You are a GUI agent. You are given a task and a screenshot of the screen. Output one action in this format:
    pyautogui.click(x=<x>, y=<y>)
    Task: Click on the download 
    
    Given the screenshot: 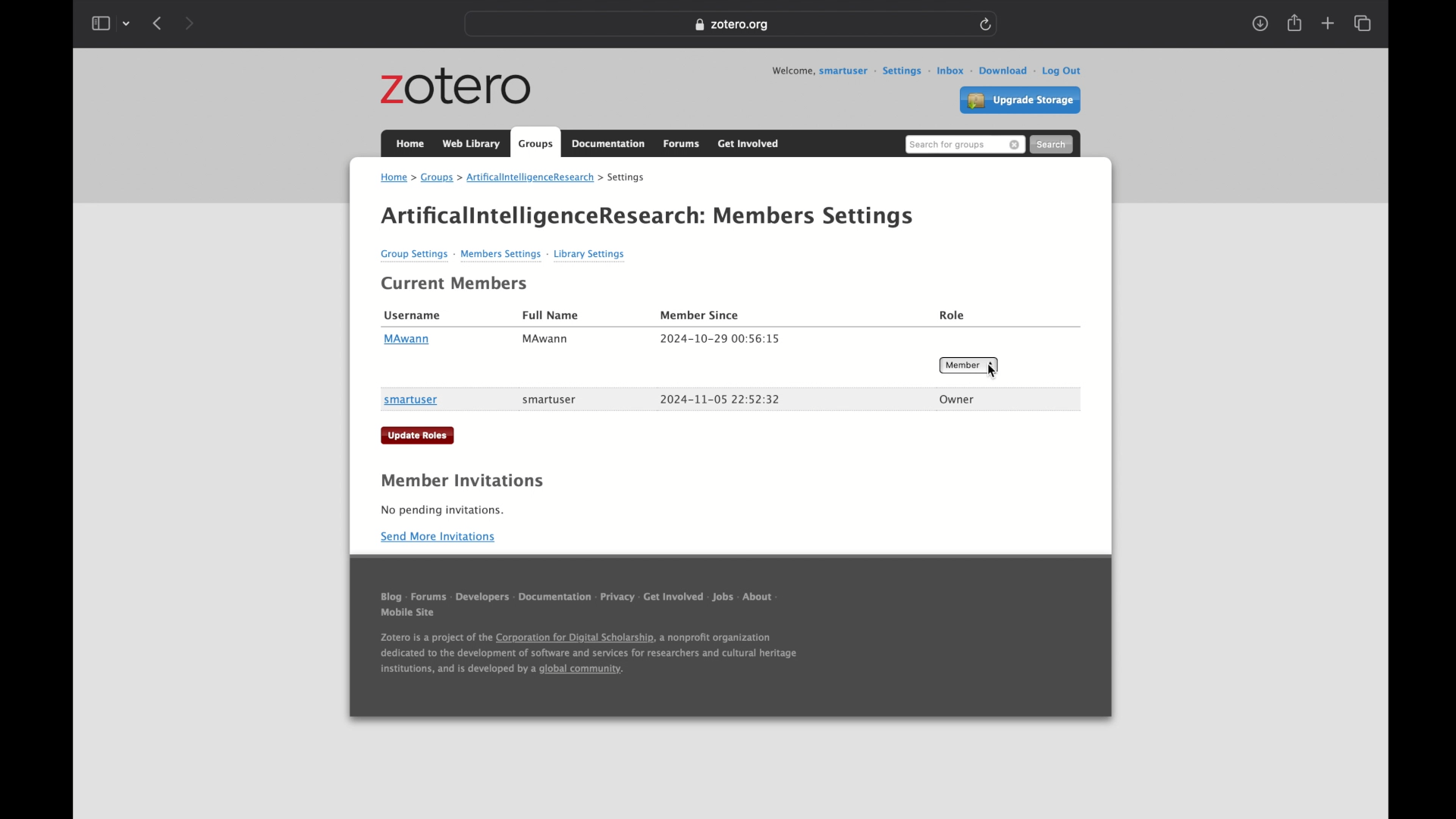 What is the action you would take?
    pyautogui.click(x=997, y=71)
    